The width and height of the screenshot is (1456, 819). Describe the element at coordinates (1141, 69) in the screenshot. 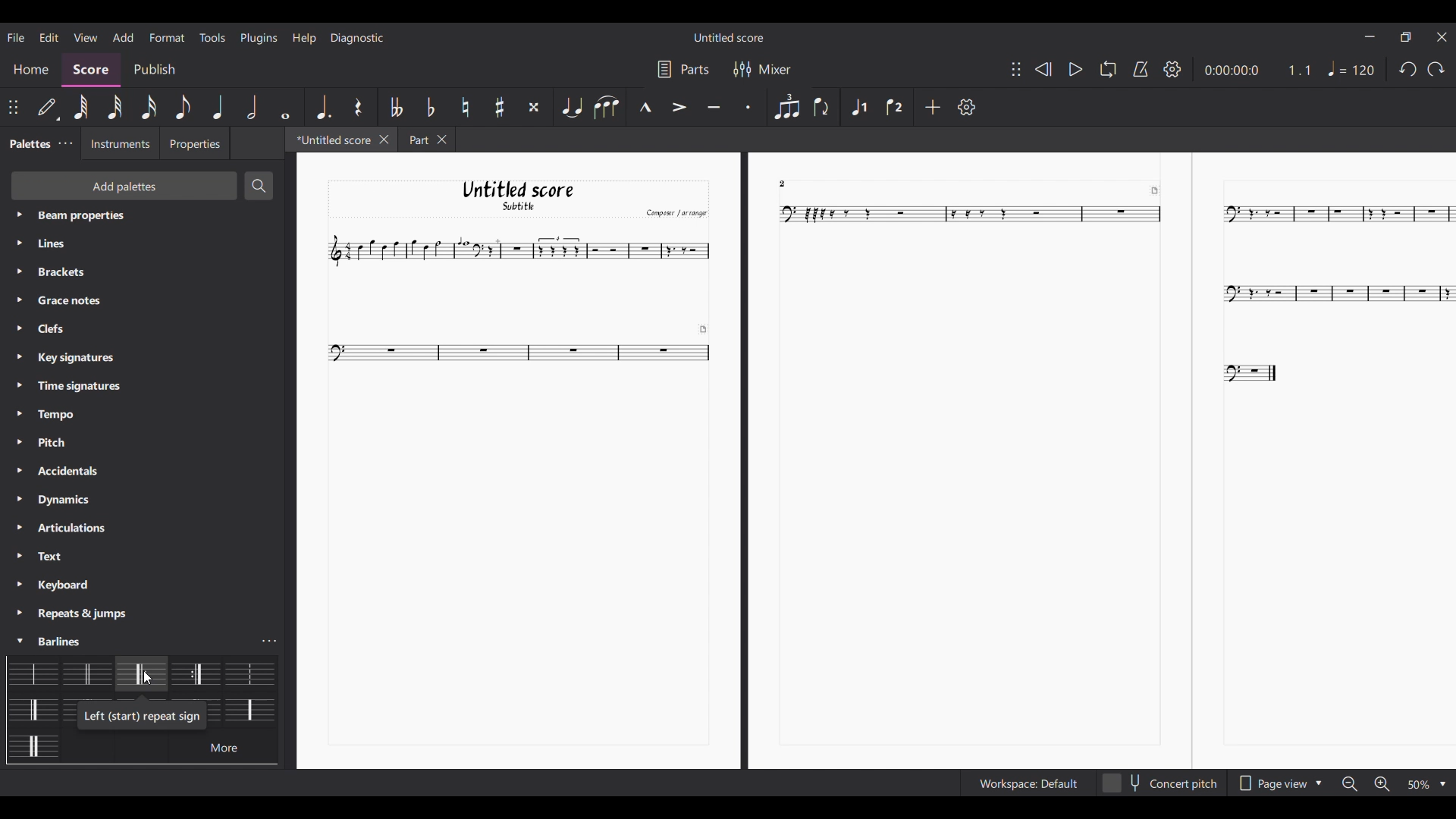

I see `Metronome` at that location.